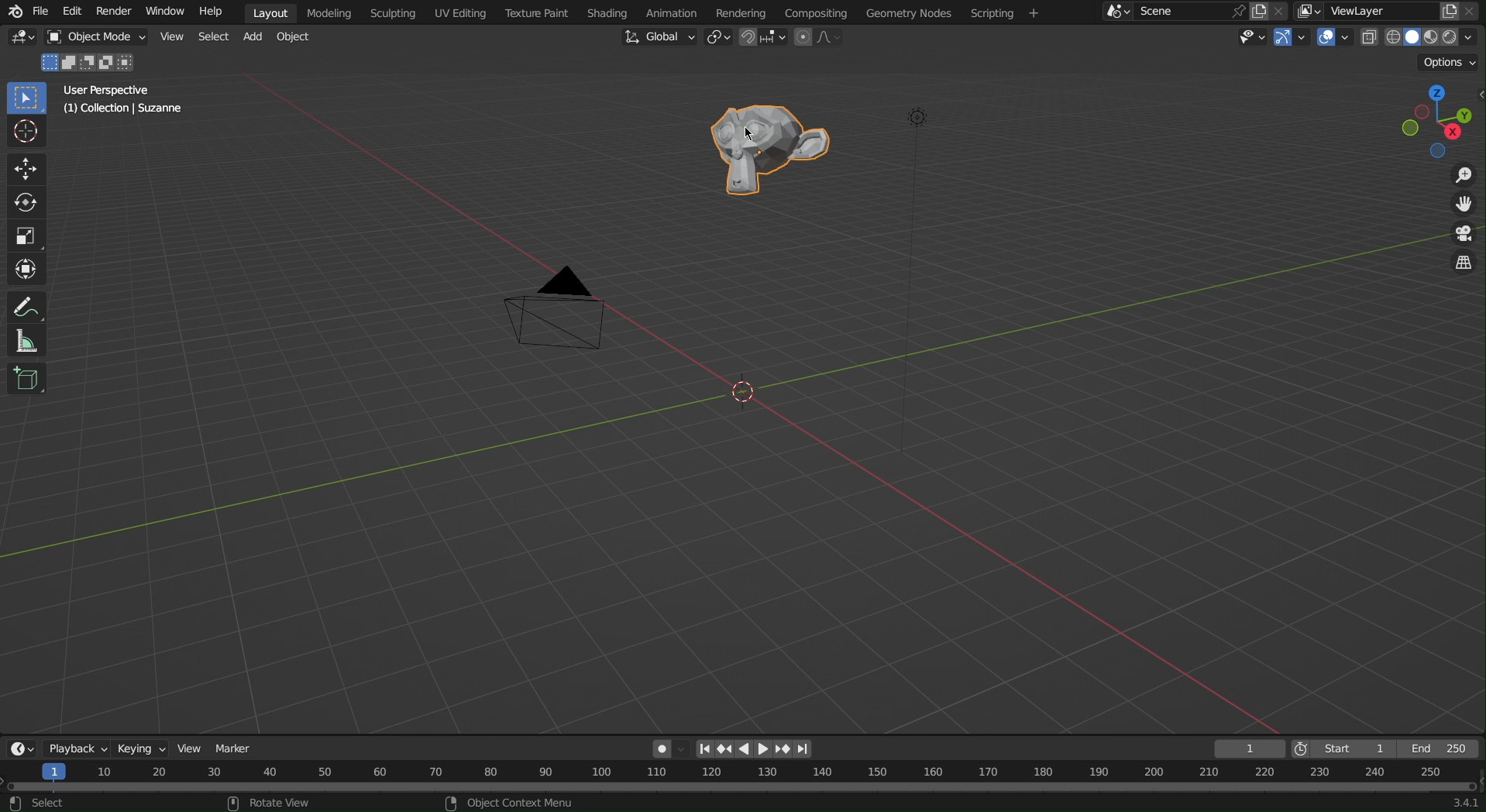 The width and height of the screenshot is (1486, 812). Describe the element at coordinates (1357, 748) in the screenshot. I see `Start 1` at that location.